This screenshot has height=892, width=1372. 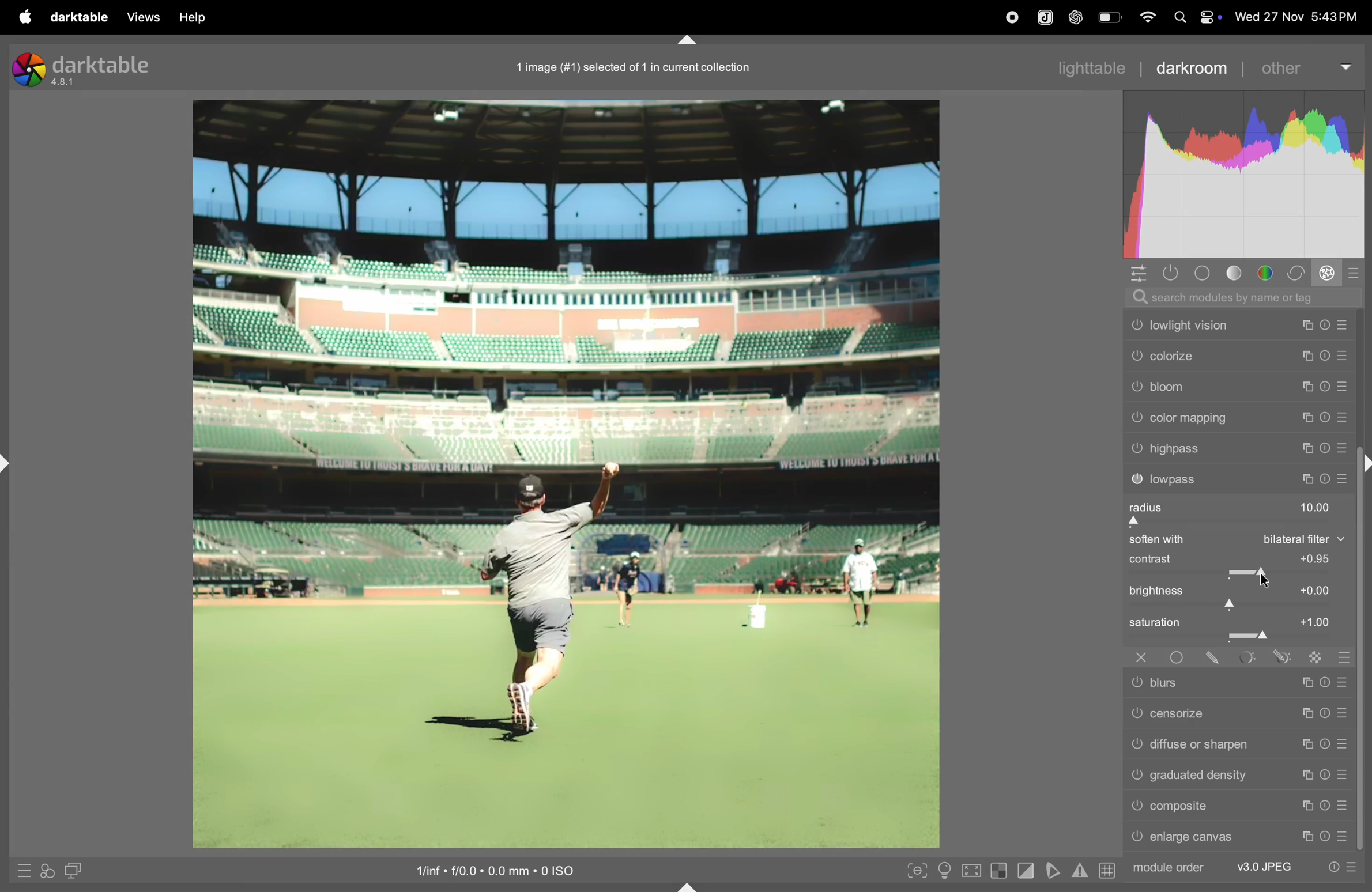 I want to click on shift+ctrl+b, so click(x=688, y=886).